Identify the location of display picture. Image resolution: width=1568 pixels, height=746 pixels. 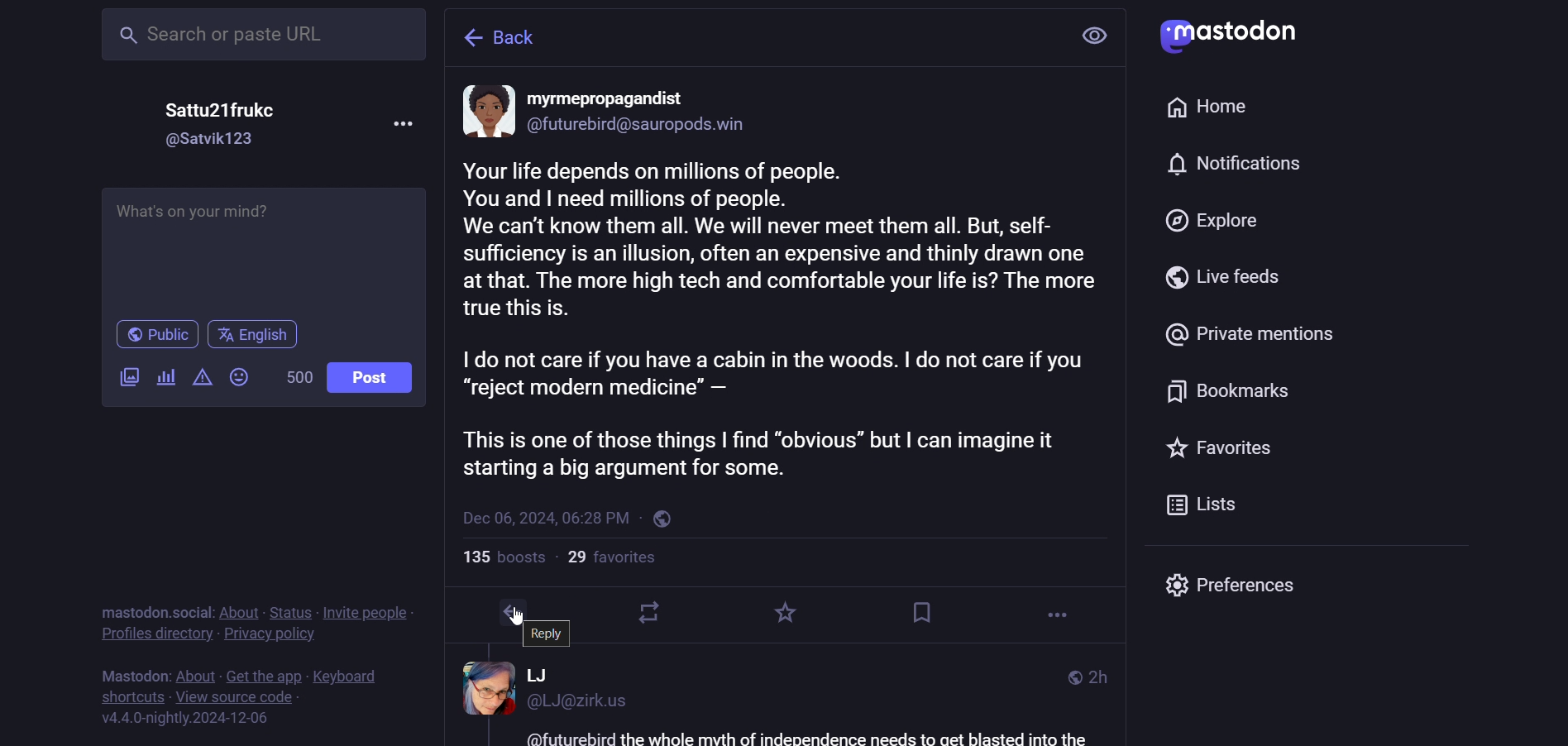
(482, 688).